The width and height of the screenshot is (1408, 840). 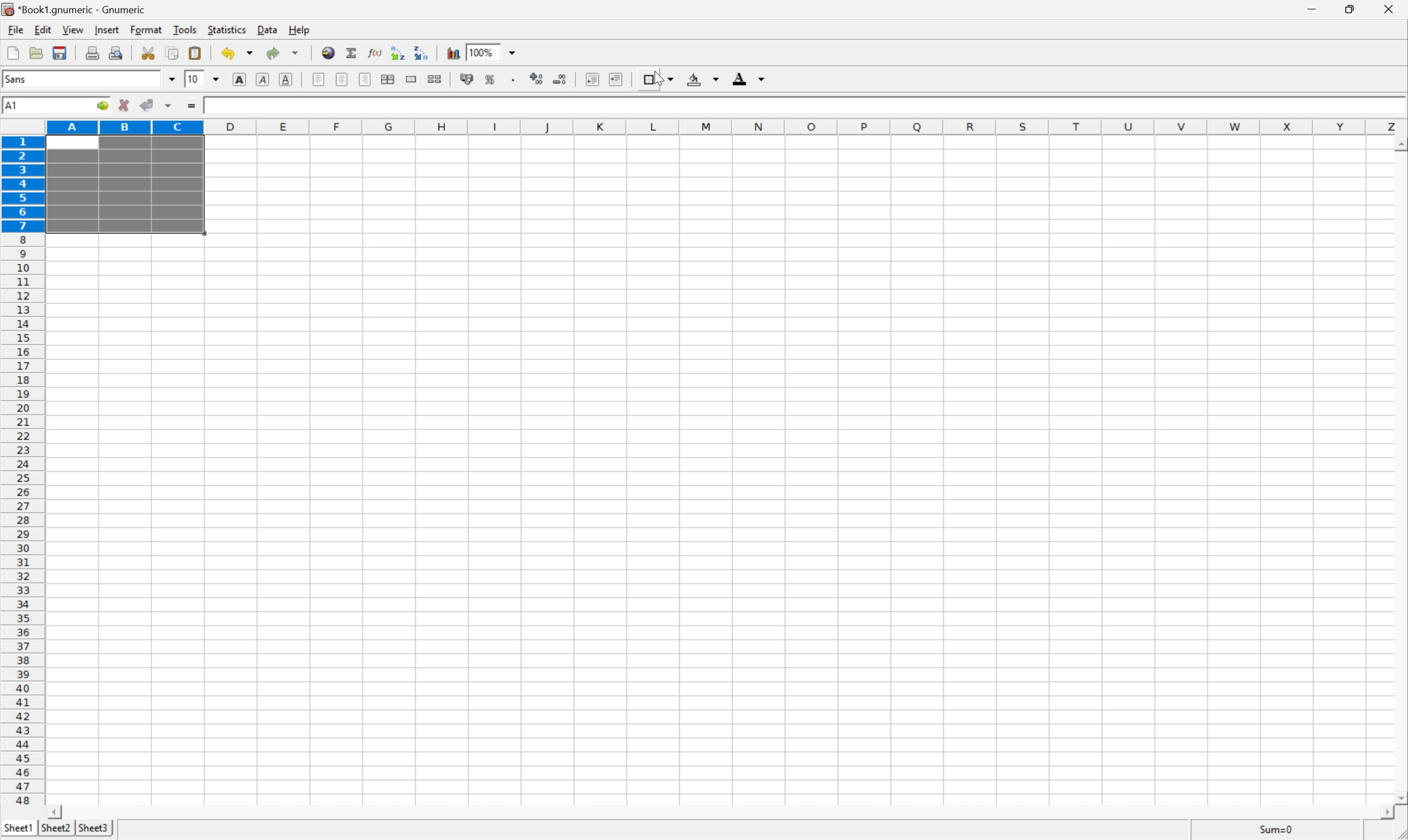 What do you see at coordinates (538, 79) in the screenshot?
I see `increase number of decimals displayed` at bounding box center [538, 79].